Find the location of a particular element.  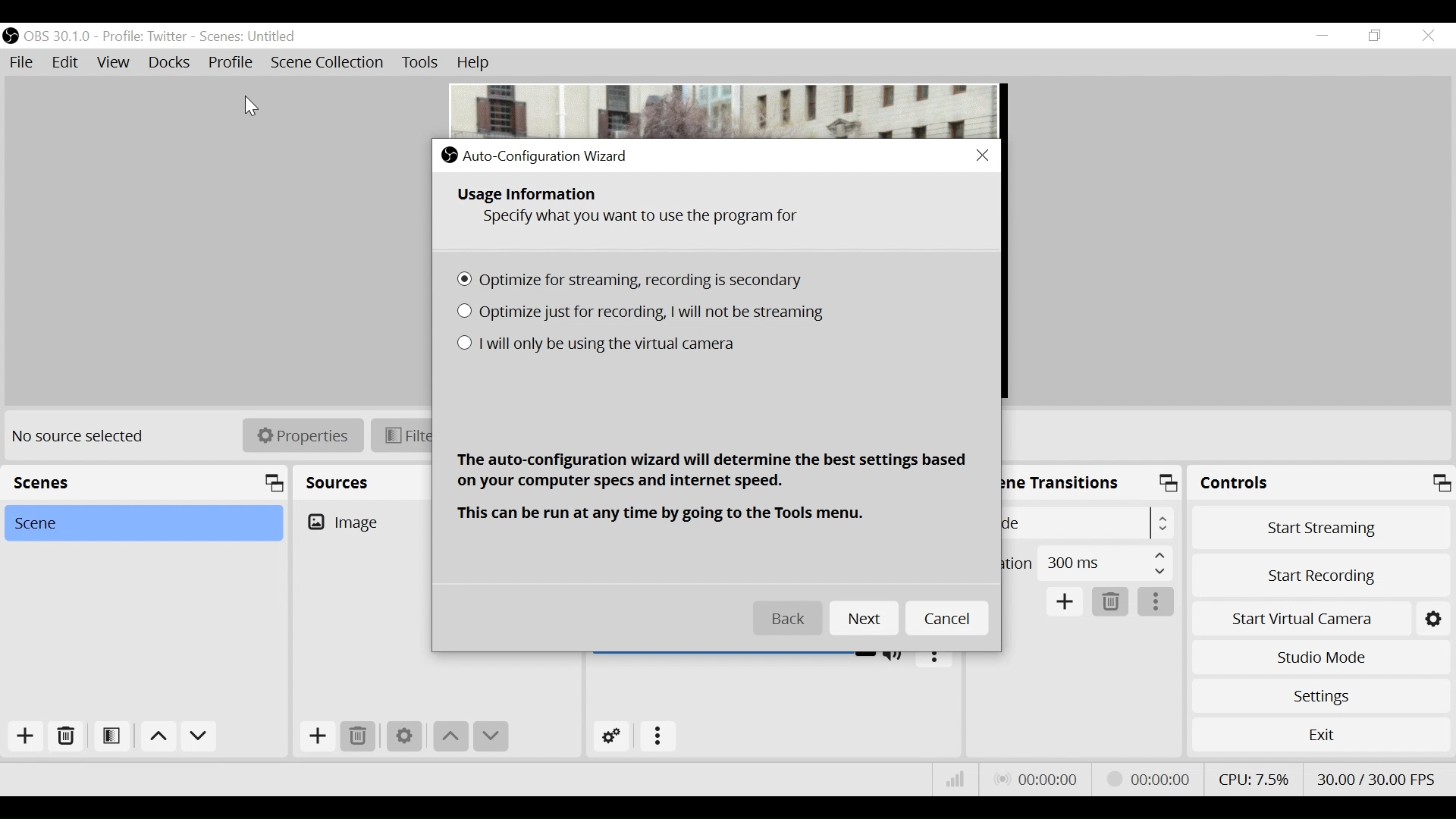

Profile is located at coordinates (231, 61).